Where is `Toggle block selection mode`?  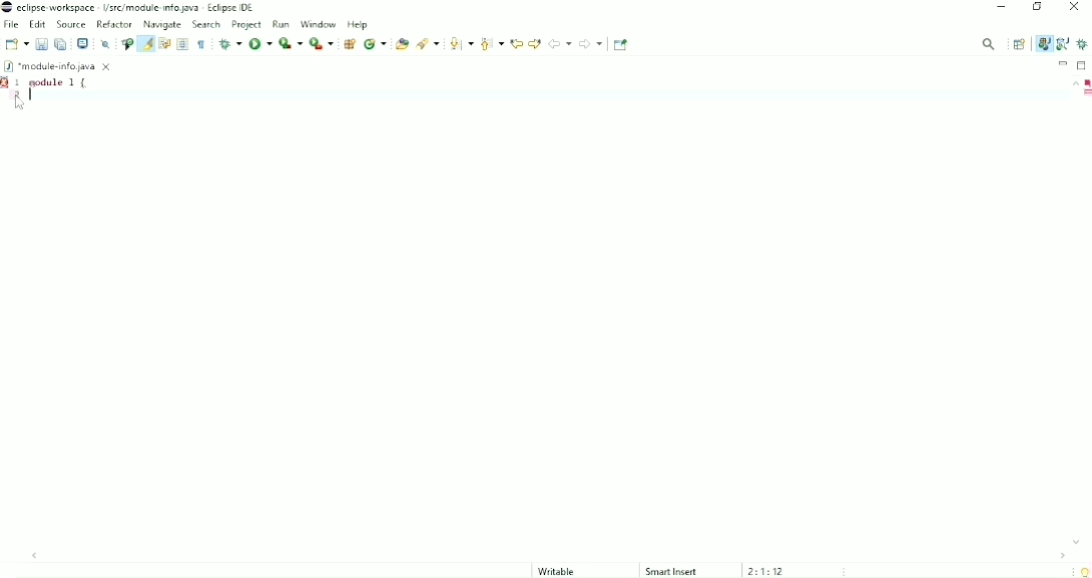 Toggle block selection mode is located at coordinates (183, 44).